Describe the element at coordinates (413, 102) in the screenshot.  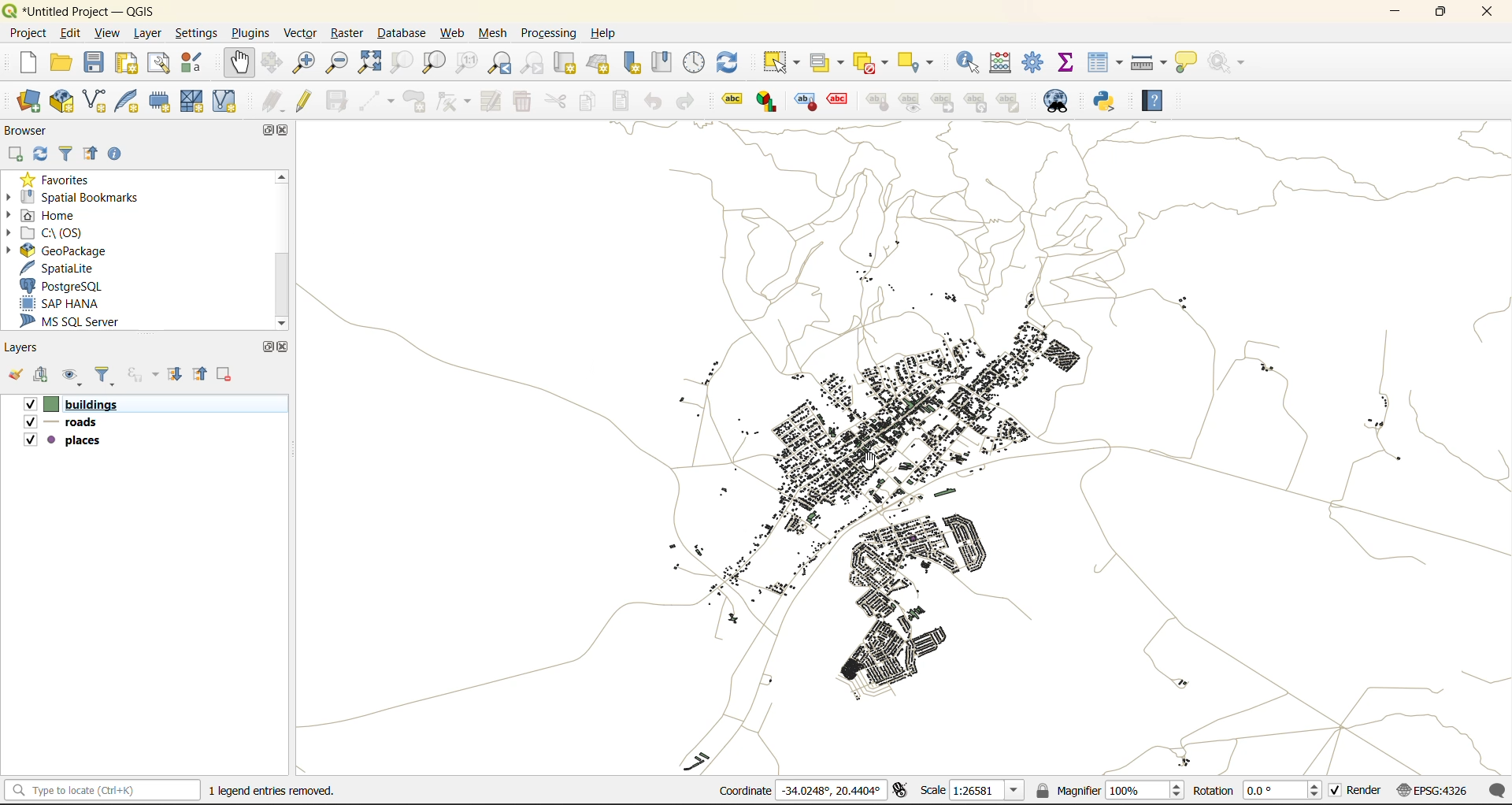
I see `add polygon` at that location.